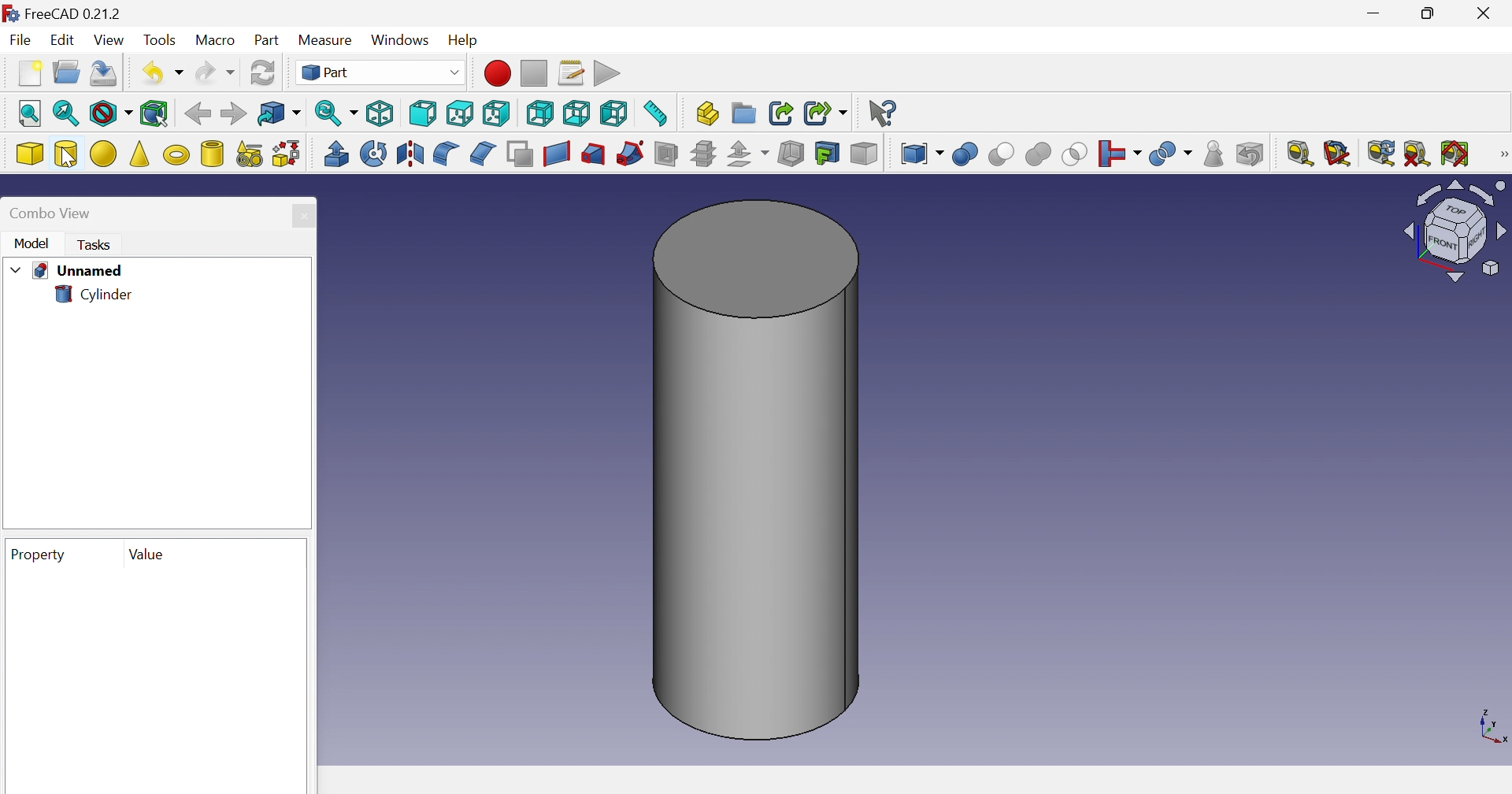 The width and height of the screenshot is (1512, 794). I want to click on Measure distance, so click(658, 113).